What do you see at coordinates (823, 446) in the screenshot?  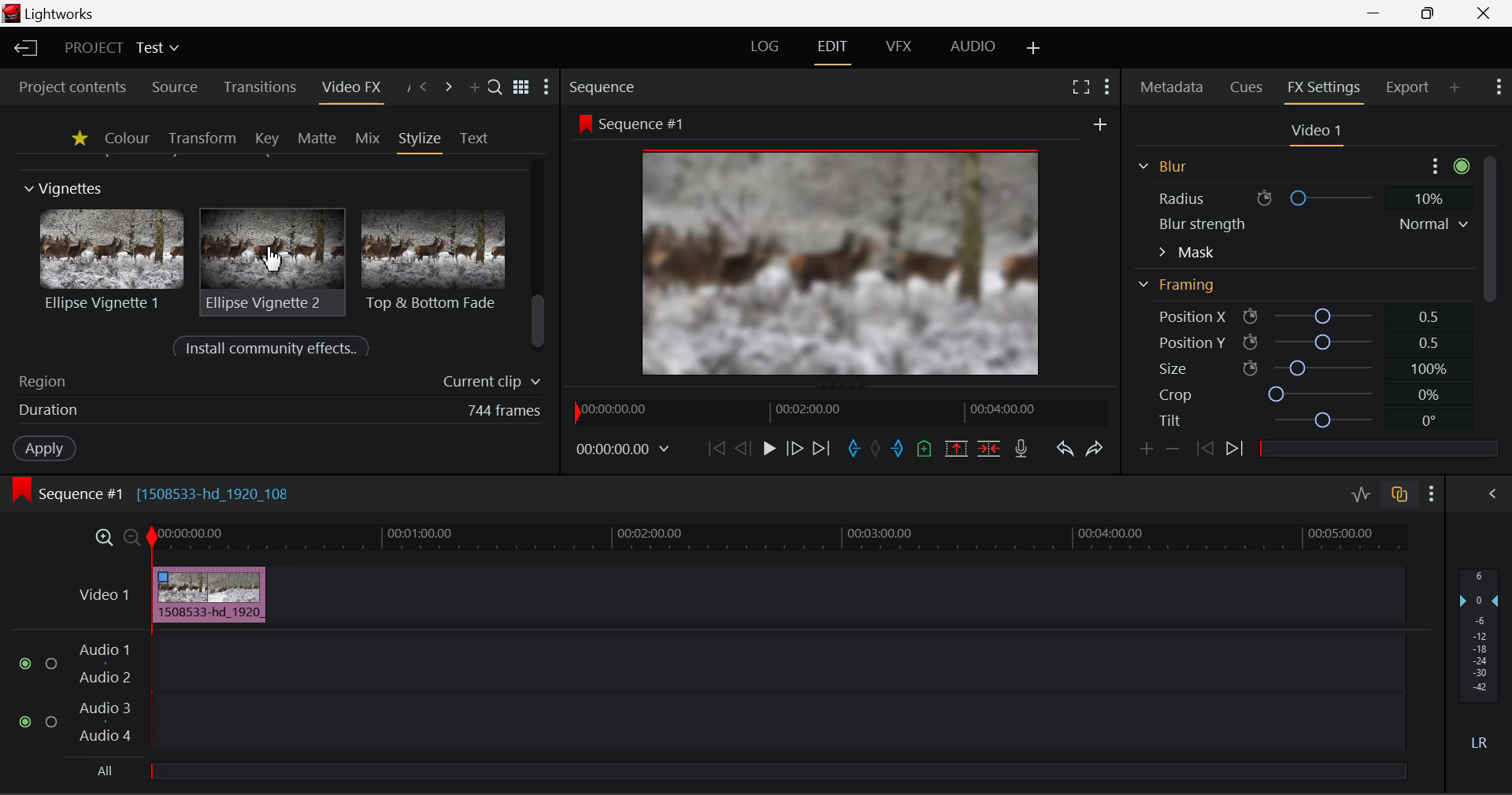 I see `To End` at bounding box center [823, 446].